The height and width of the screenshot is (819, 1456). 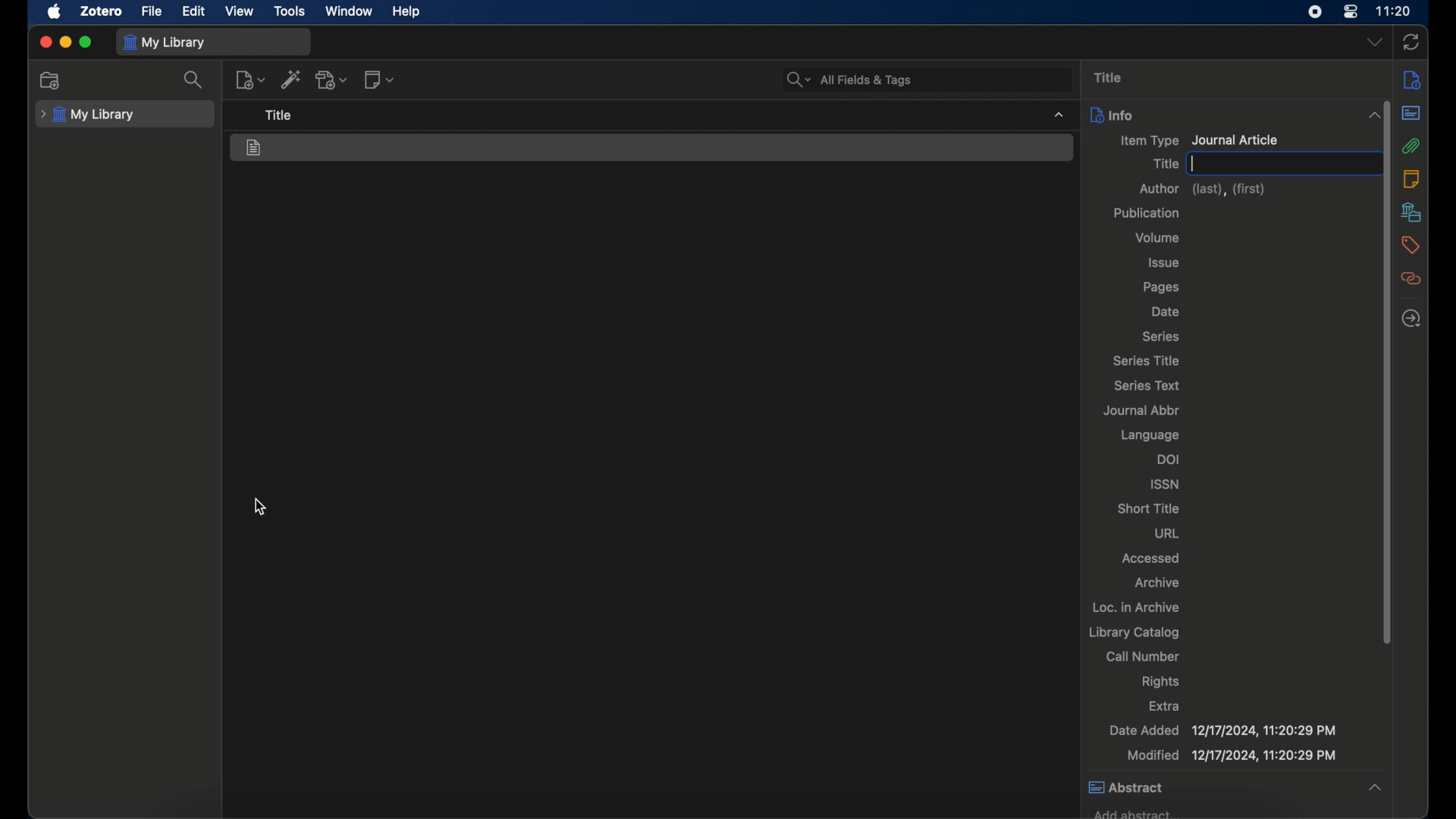 What do you see at coordinates (1351, 12) in the screenshot?
I see `control center` at bounding box center [1351, 12].